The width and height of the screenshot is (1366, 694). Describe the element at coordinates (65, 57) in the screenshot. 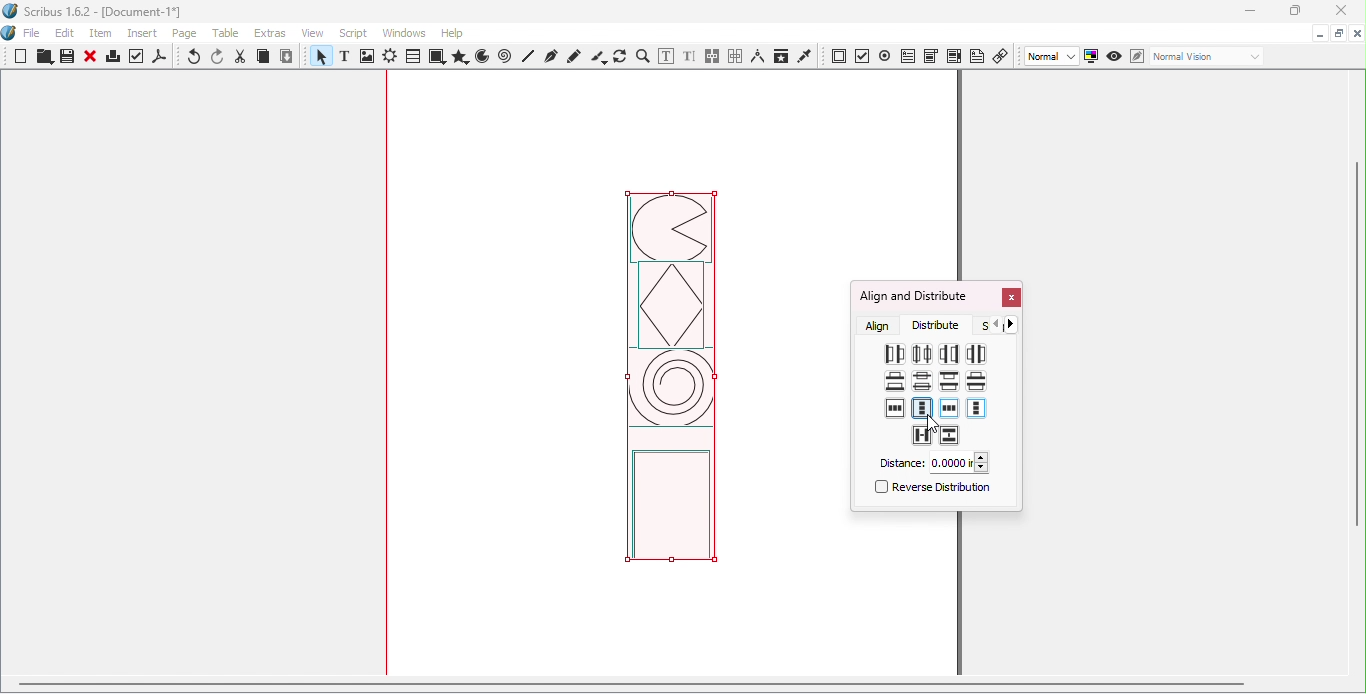

I see `Save` at that location.